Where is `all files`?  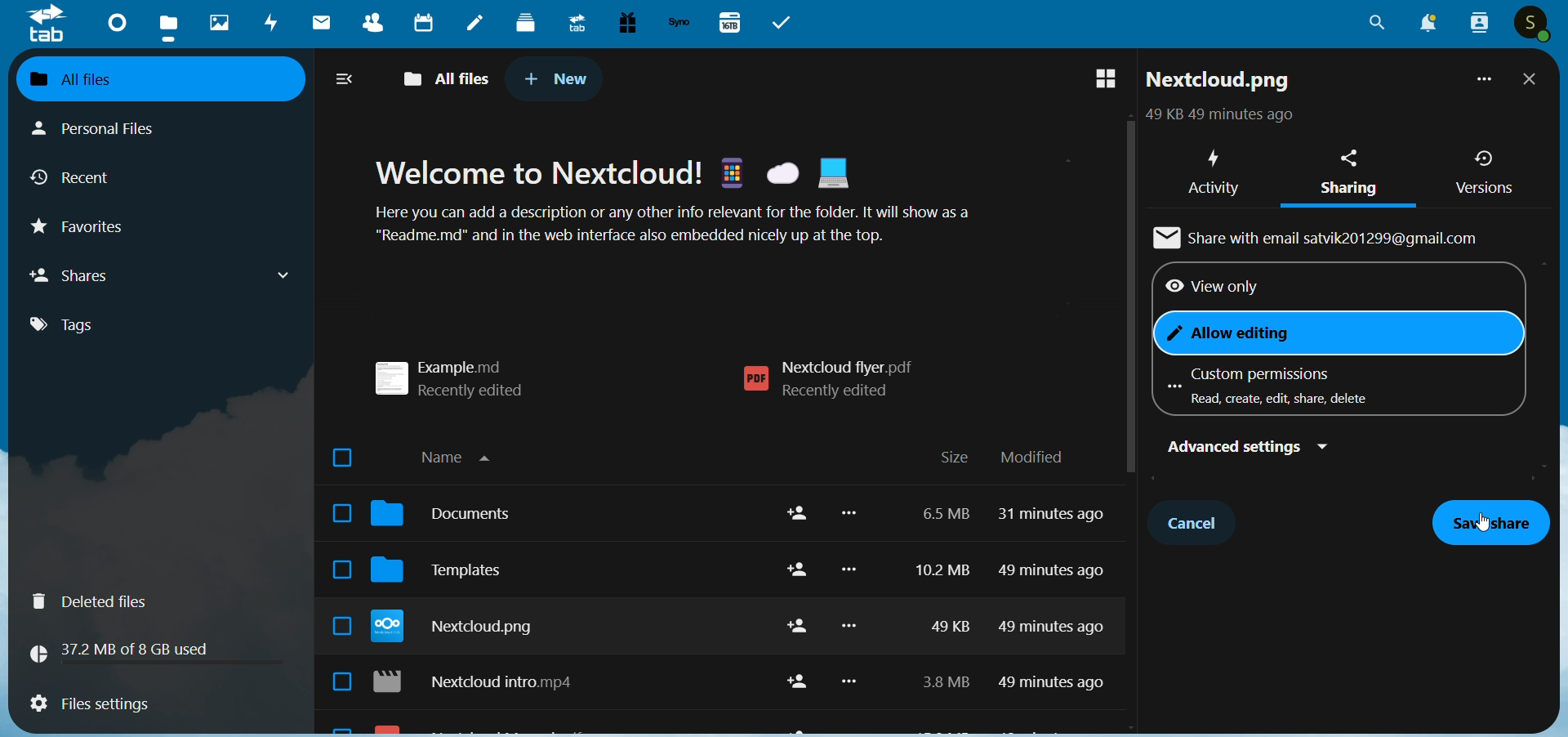
all files is located at coordinates (450, 76).